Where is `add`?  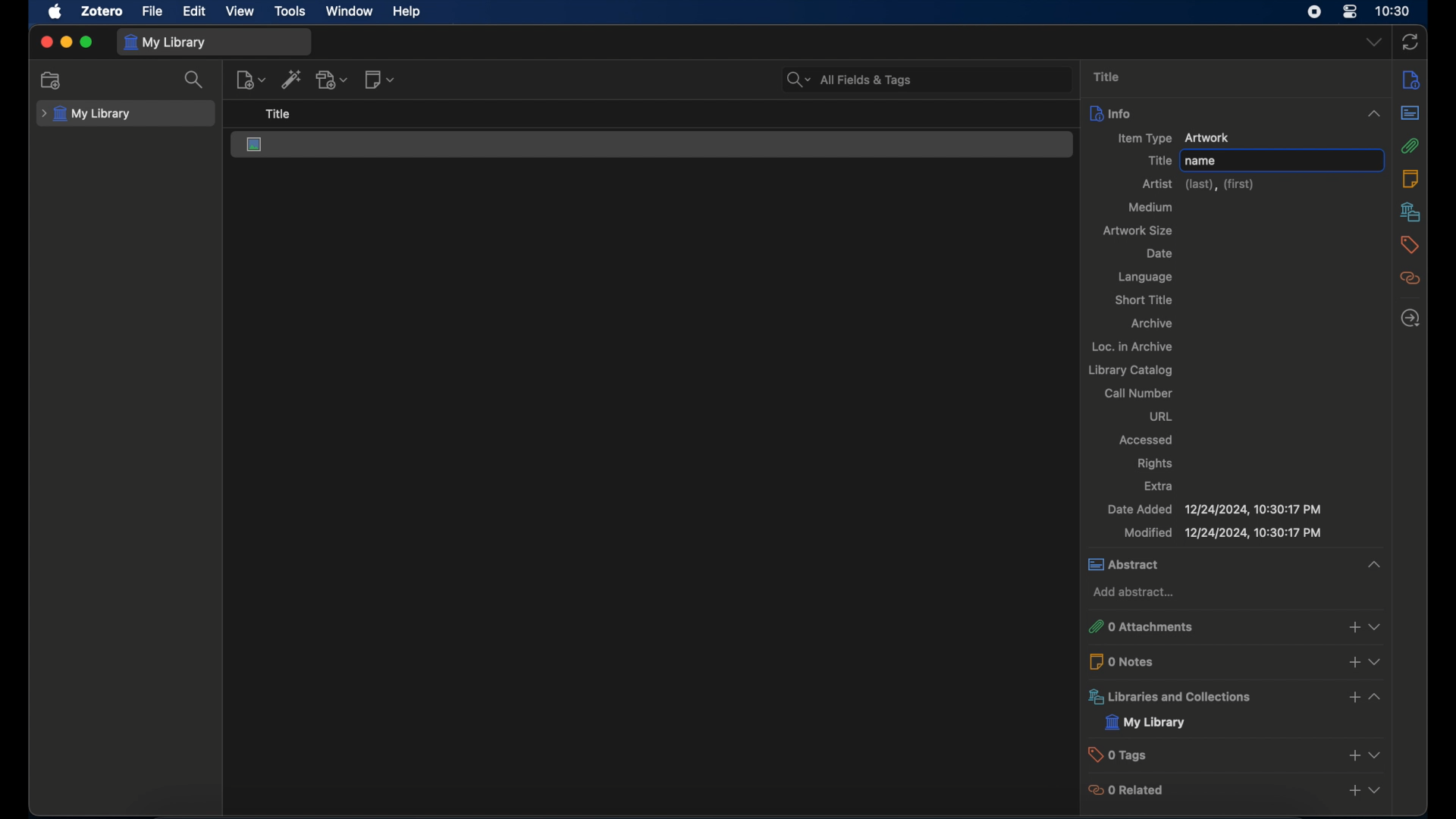
add is located at coordinates (1350, 626).